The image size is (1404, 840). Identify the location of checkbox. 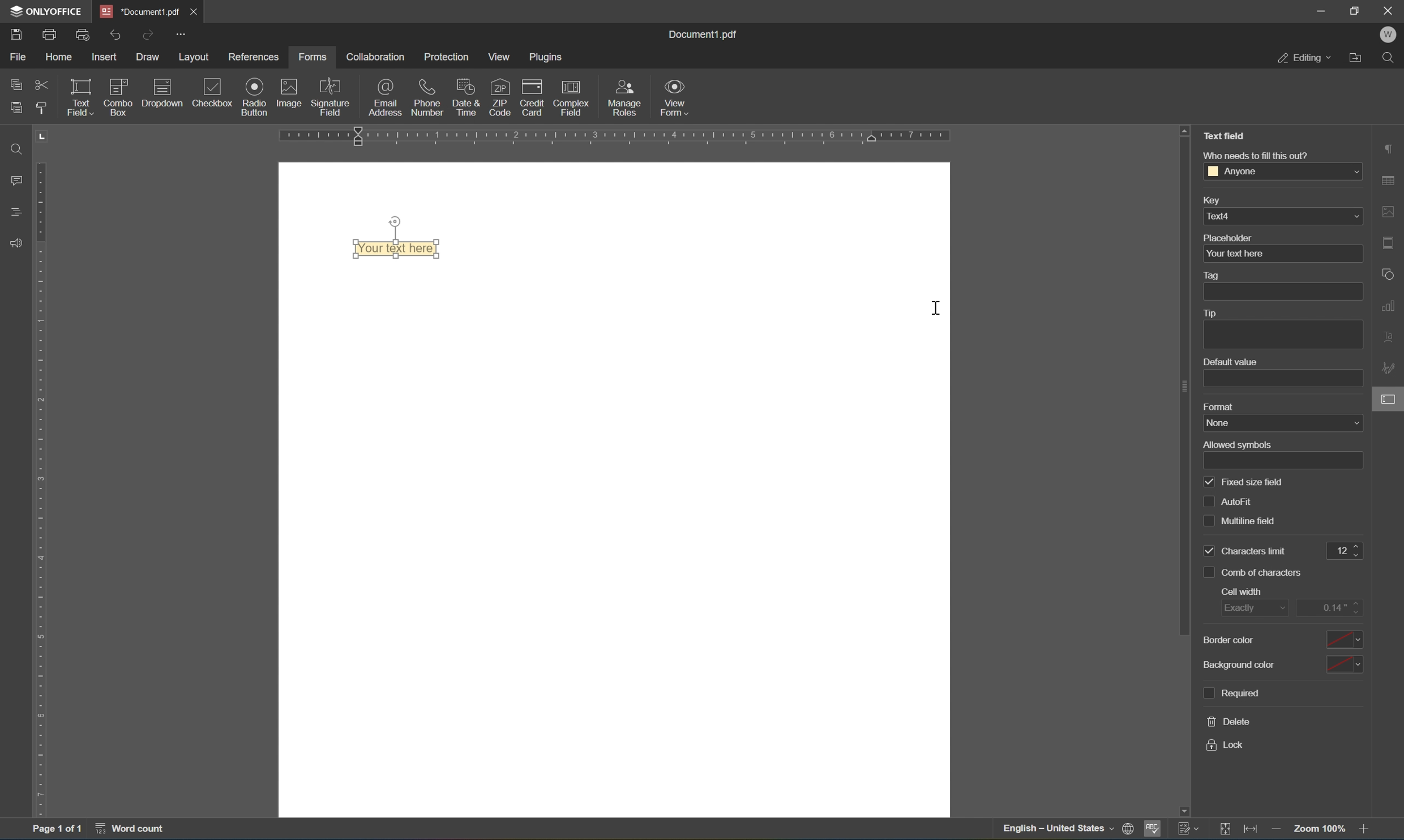
(1209, 501).